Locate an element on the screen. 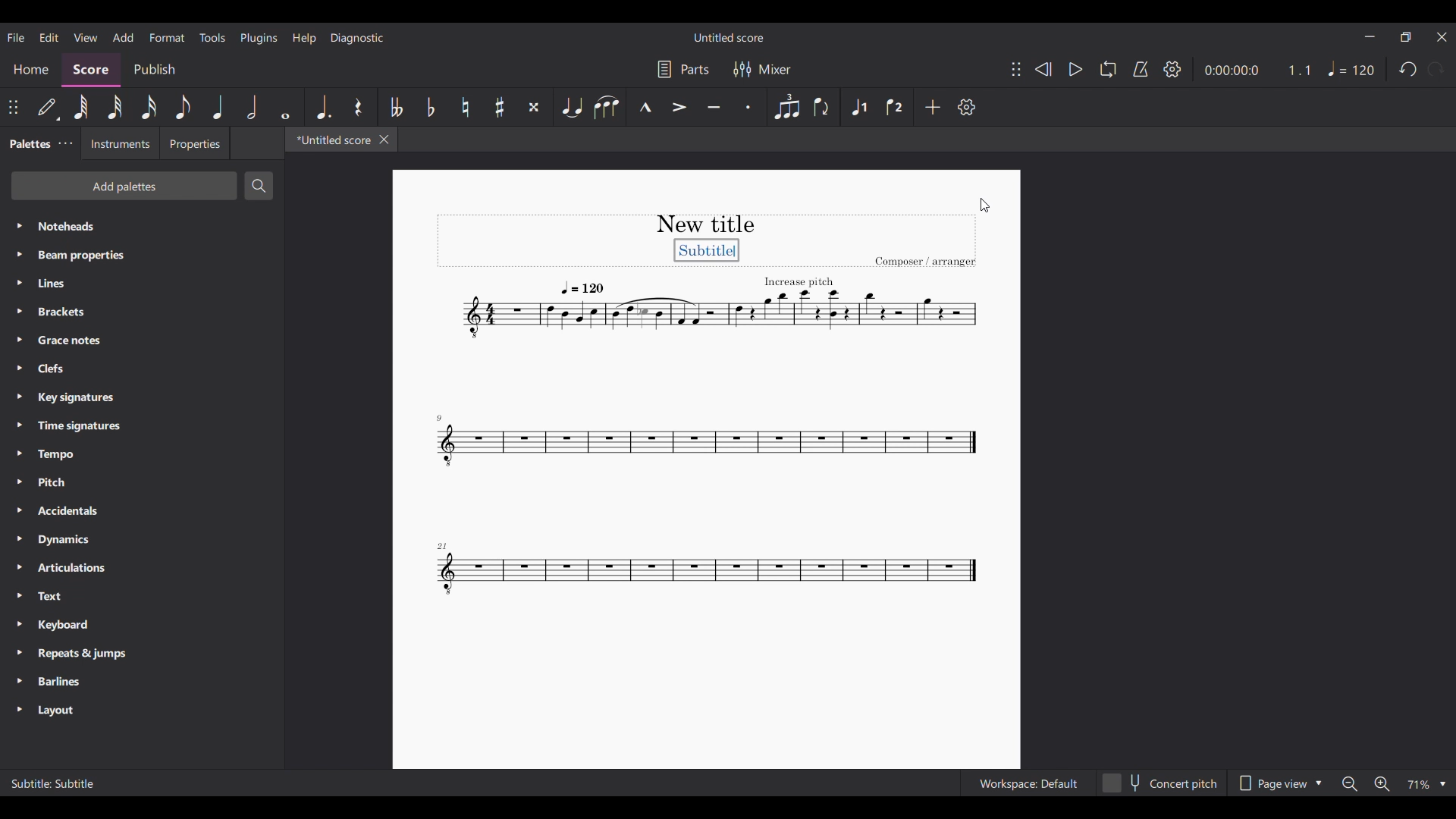 The image size is (1456, 819). Workspace: Default is located at coordinates (1028, 783).